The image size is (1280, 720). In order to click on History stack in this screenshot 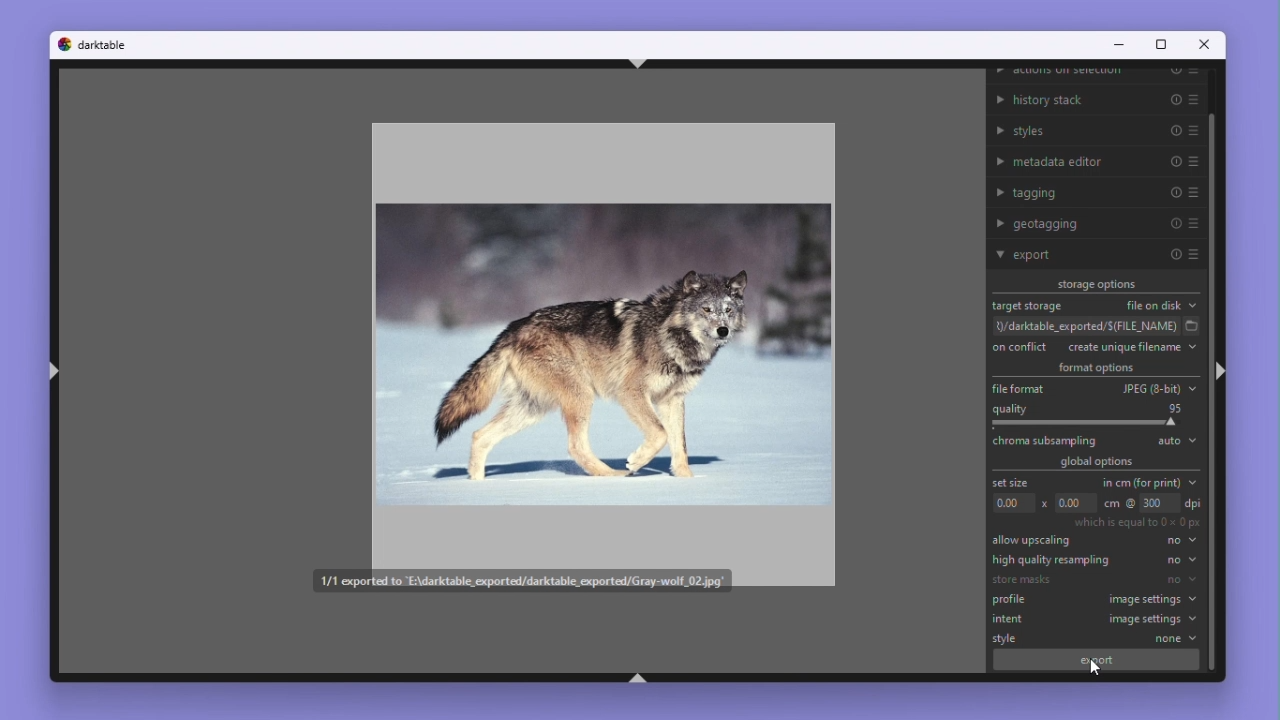, I will do `click(1099, 101)`.